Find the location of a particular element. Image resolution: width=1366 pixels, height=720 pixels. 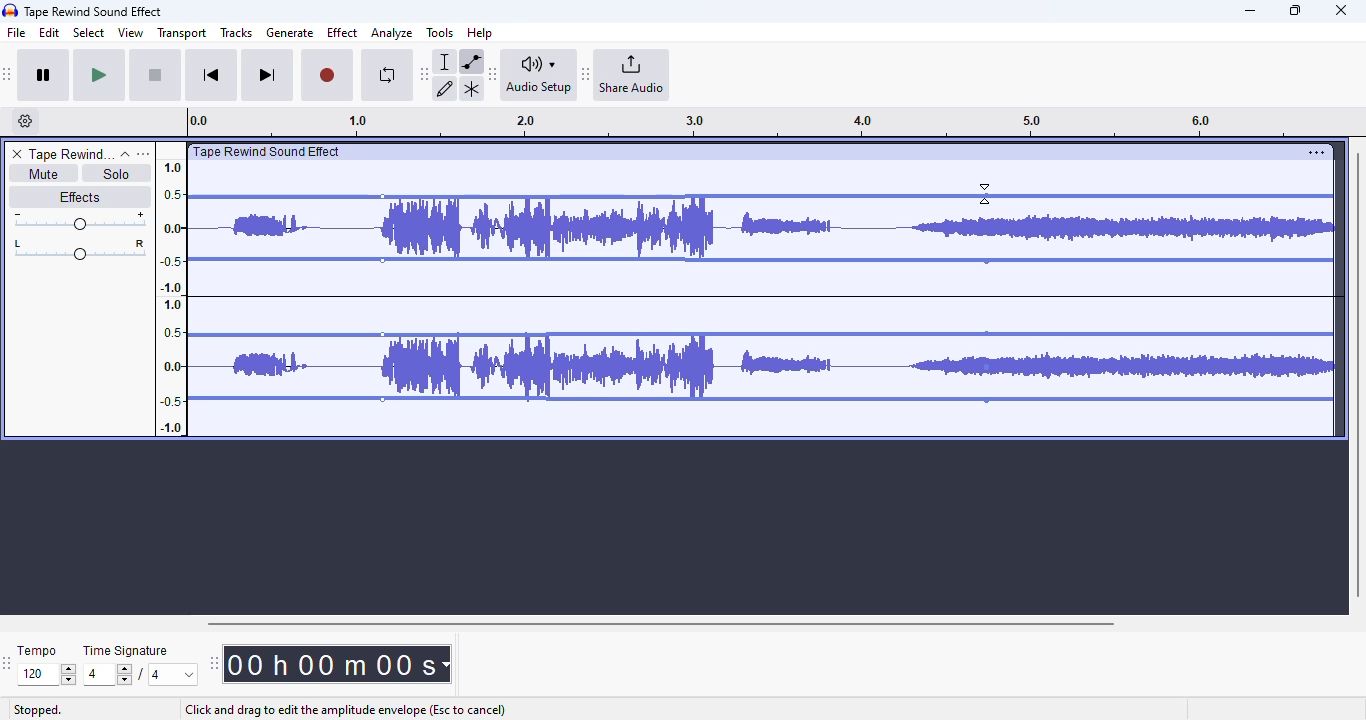

horizontal scroll bar is located at coordinates (660, 623).